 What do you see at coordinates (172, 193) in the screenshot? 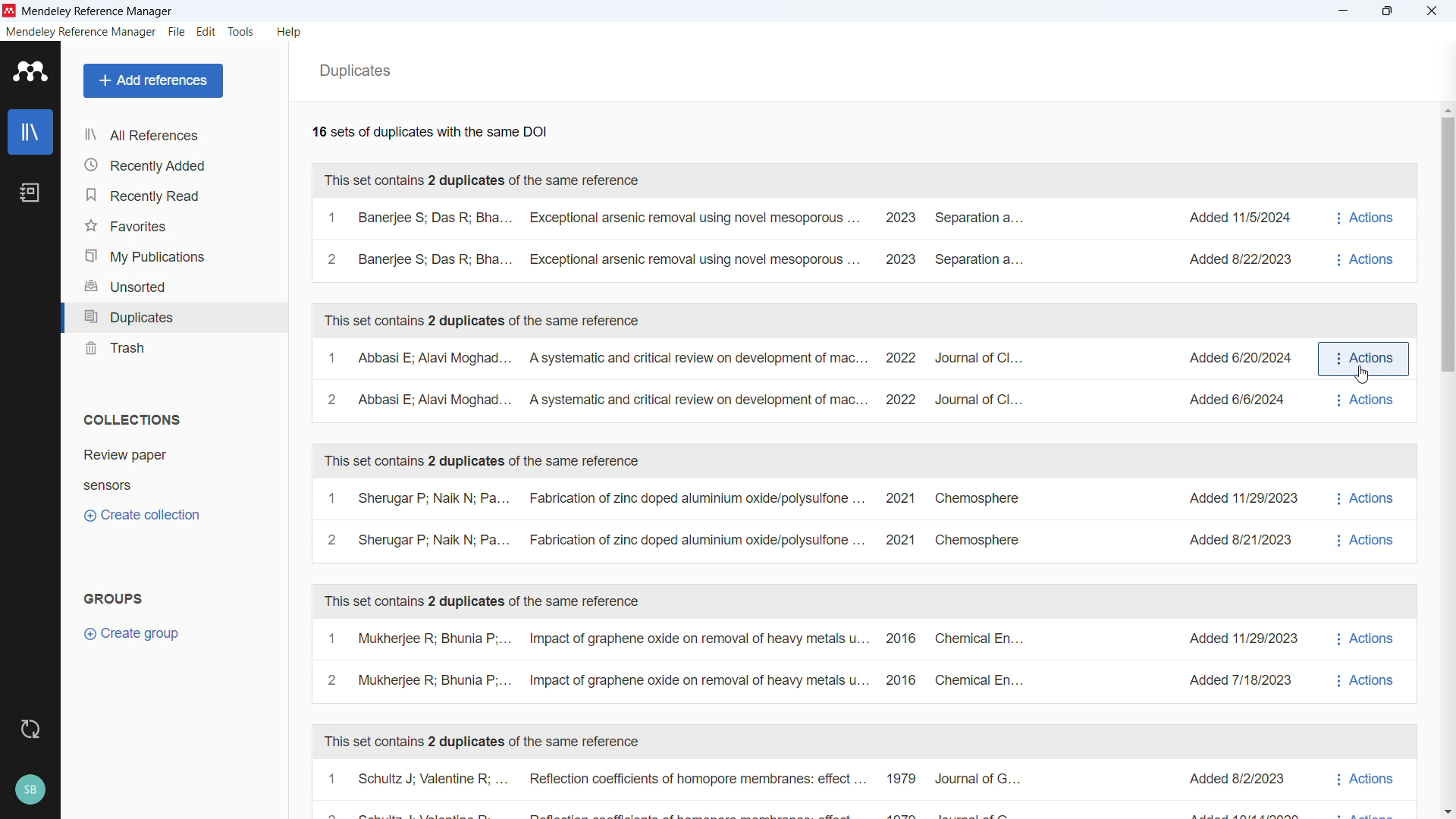
I see `Recently read ` at bounding box center [172, 193].